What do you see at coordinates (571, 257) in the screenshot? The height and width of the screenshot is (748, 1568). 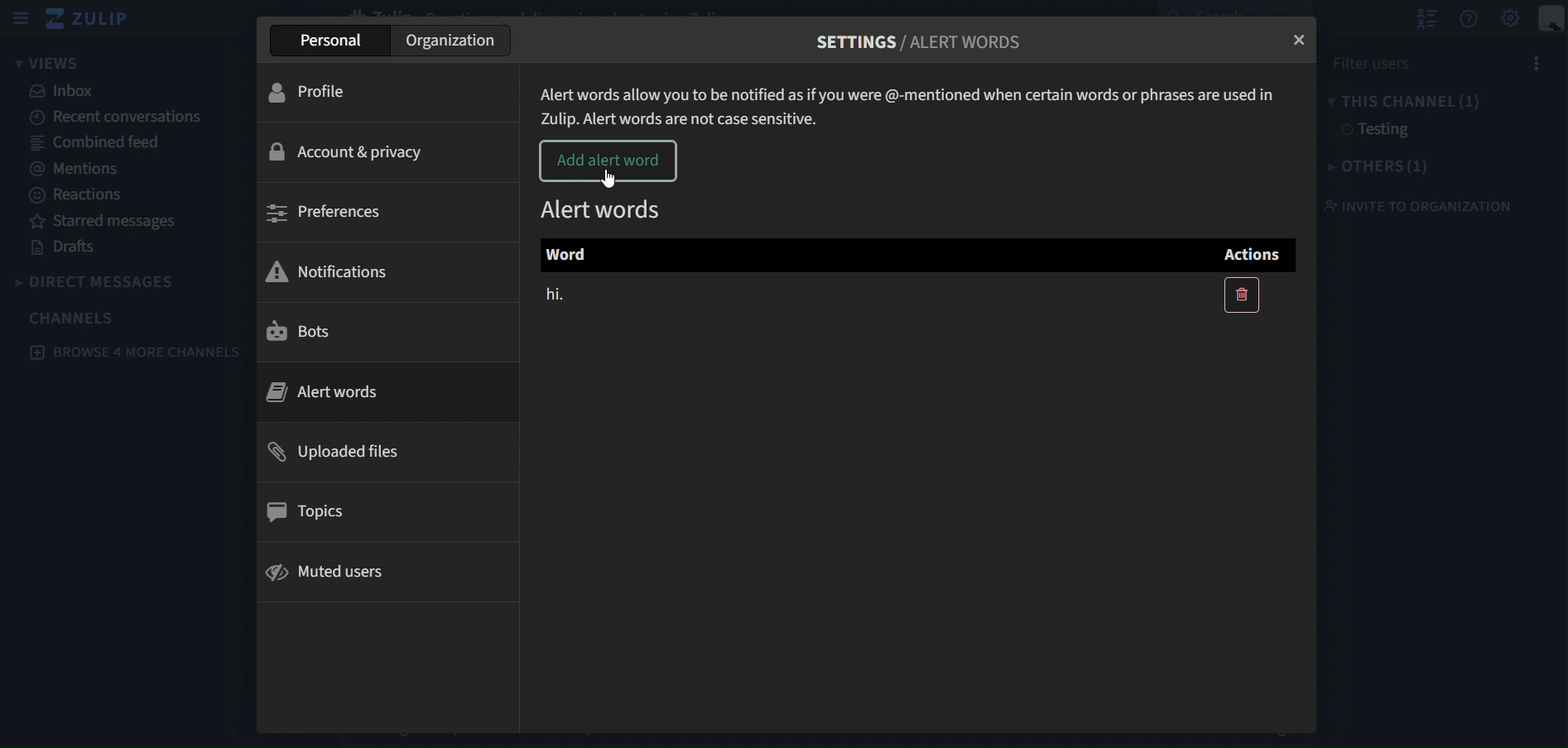 I see `Word` at bounding box center [571, 257].